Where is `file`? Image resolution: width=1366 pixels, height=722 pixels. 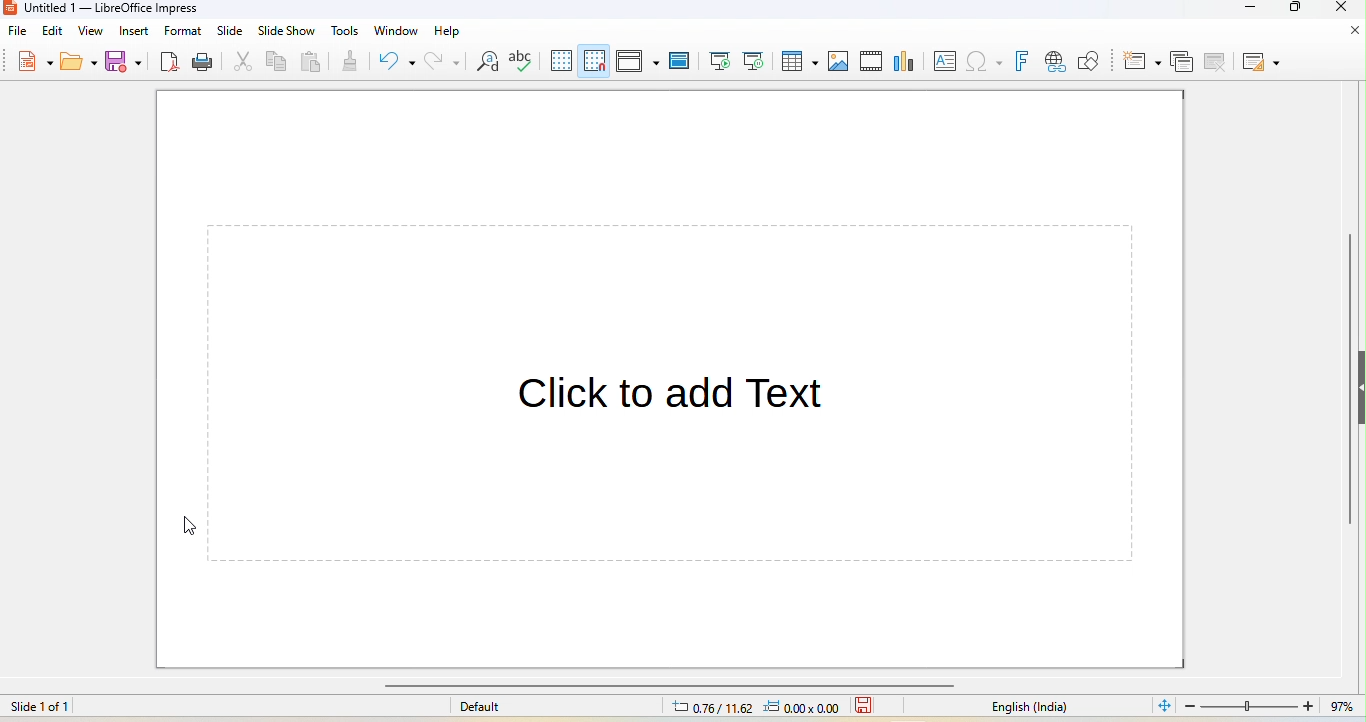
file is located at coordinates (18, 32).